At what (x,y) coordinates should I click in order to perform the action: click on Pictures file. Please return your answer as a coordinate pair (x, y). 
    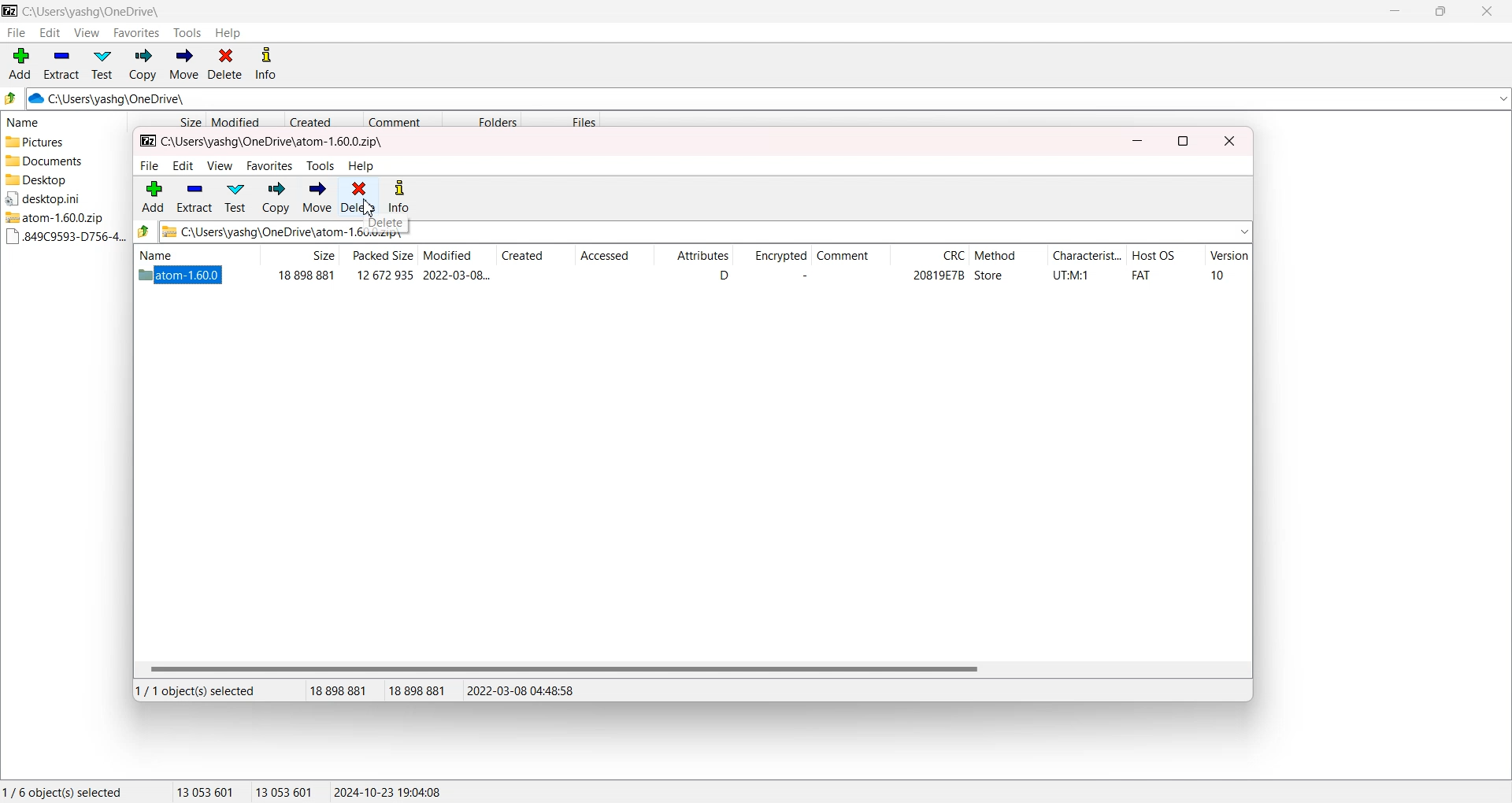
    Looking at the image, I should click on (61, 142).